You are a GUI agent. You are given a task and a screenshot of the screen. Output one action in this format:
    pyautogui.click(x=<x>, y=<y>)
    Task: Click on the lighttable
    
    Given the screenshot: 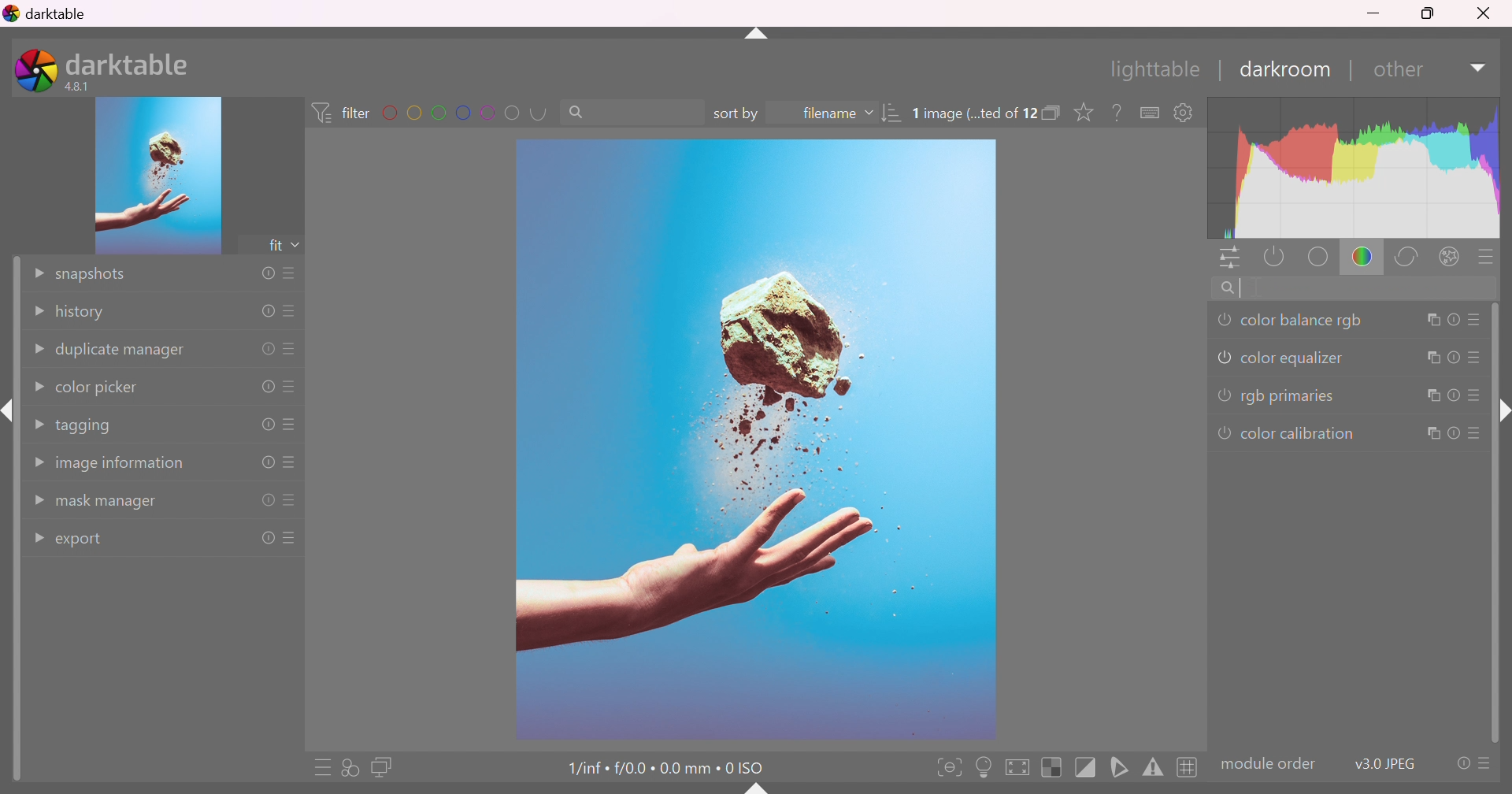 What is the action you would take?
    pyautogui.click(x=1151, y=70)
    